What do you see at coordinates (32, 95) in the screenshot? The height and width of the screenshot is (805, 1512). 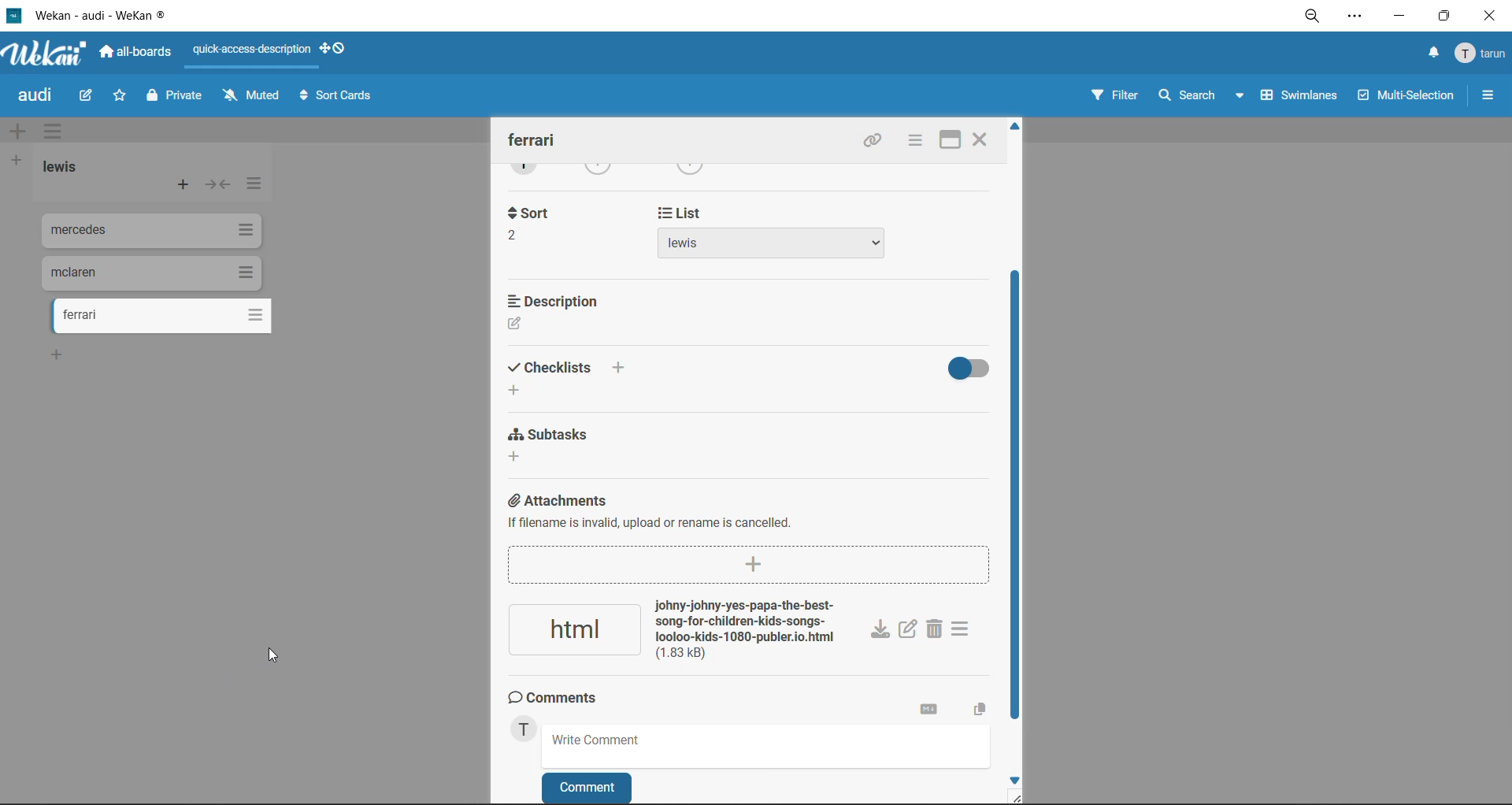 I see `board title` at bounding box center [32, 95].